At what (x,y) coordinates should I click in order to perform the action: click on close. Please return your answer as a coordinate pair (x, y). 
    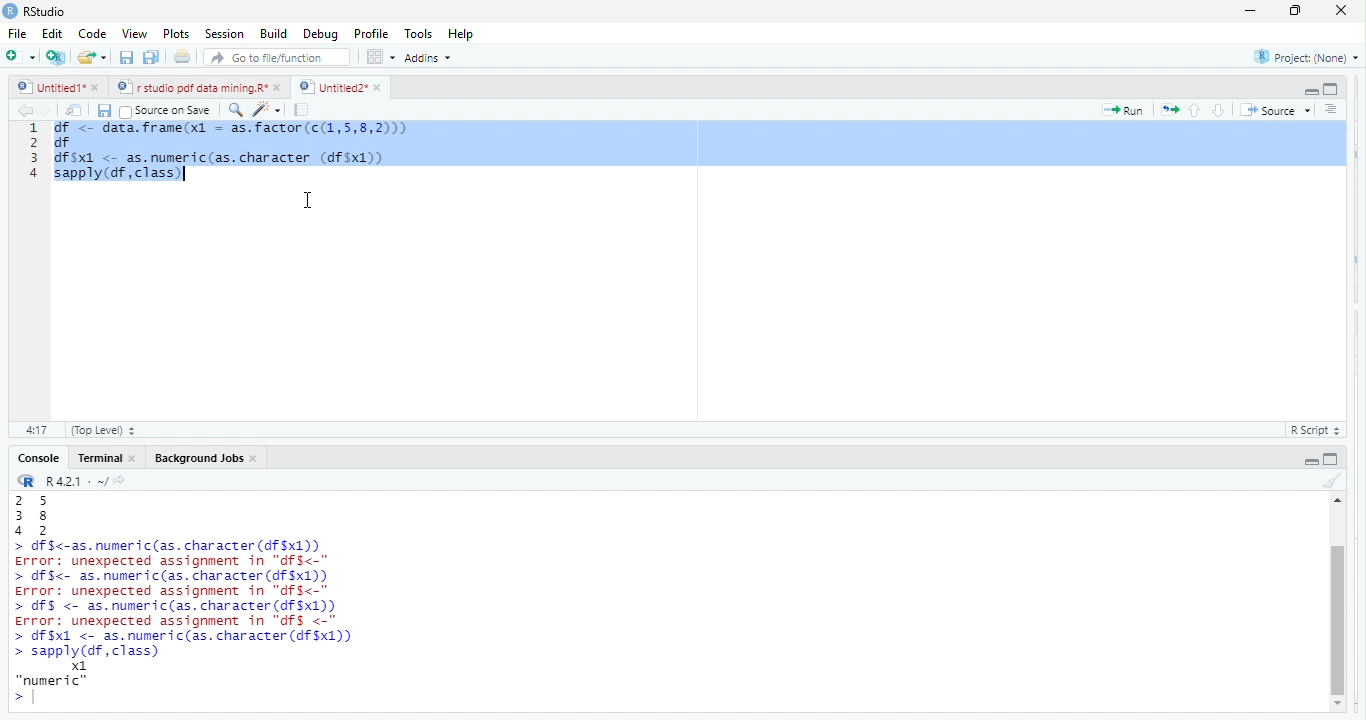
    Looking at the image, I should click on (258, 459).